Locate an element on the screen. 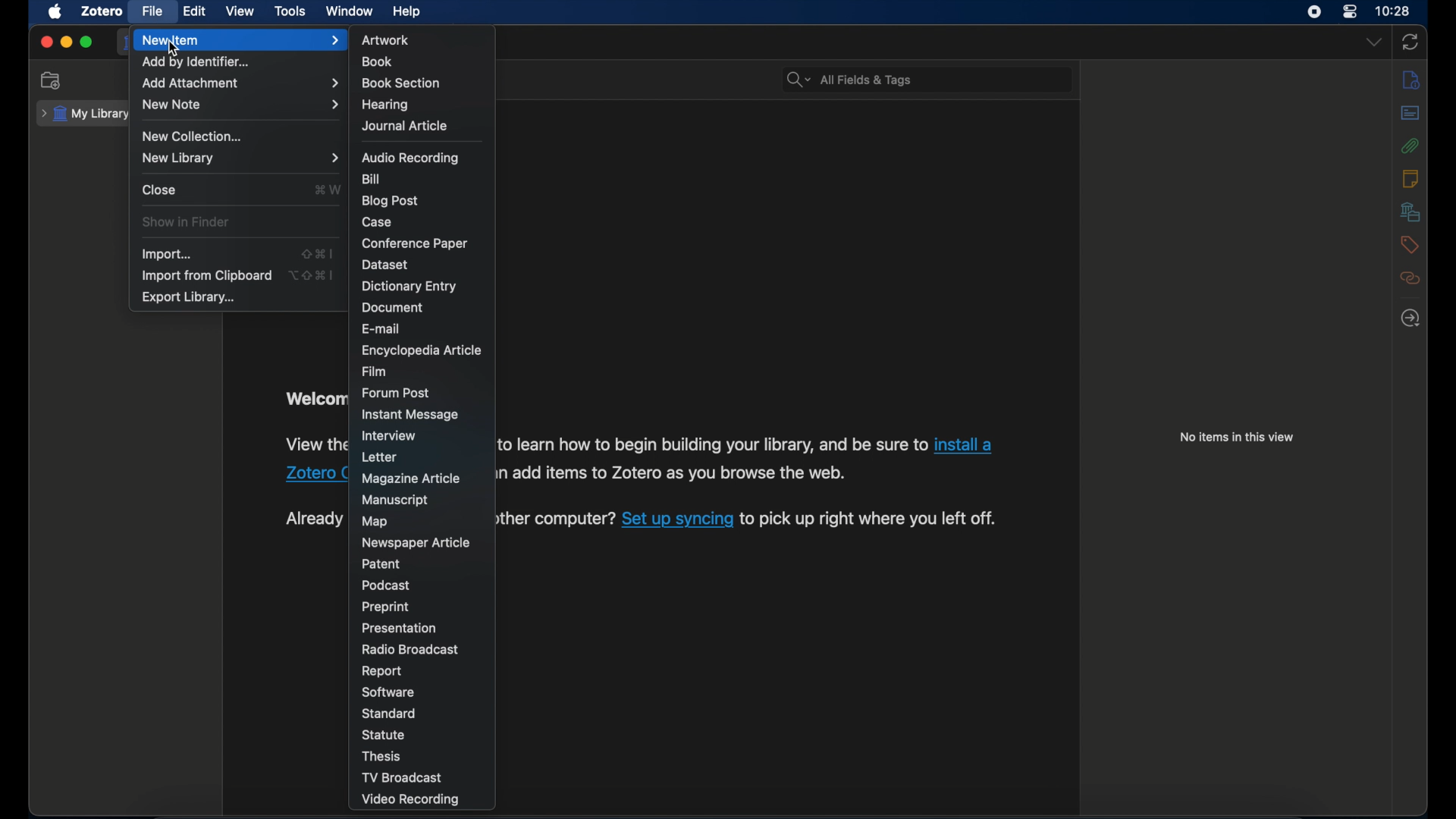  forum post is located at coordinates (397, 393).